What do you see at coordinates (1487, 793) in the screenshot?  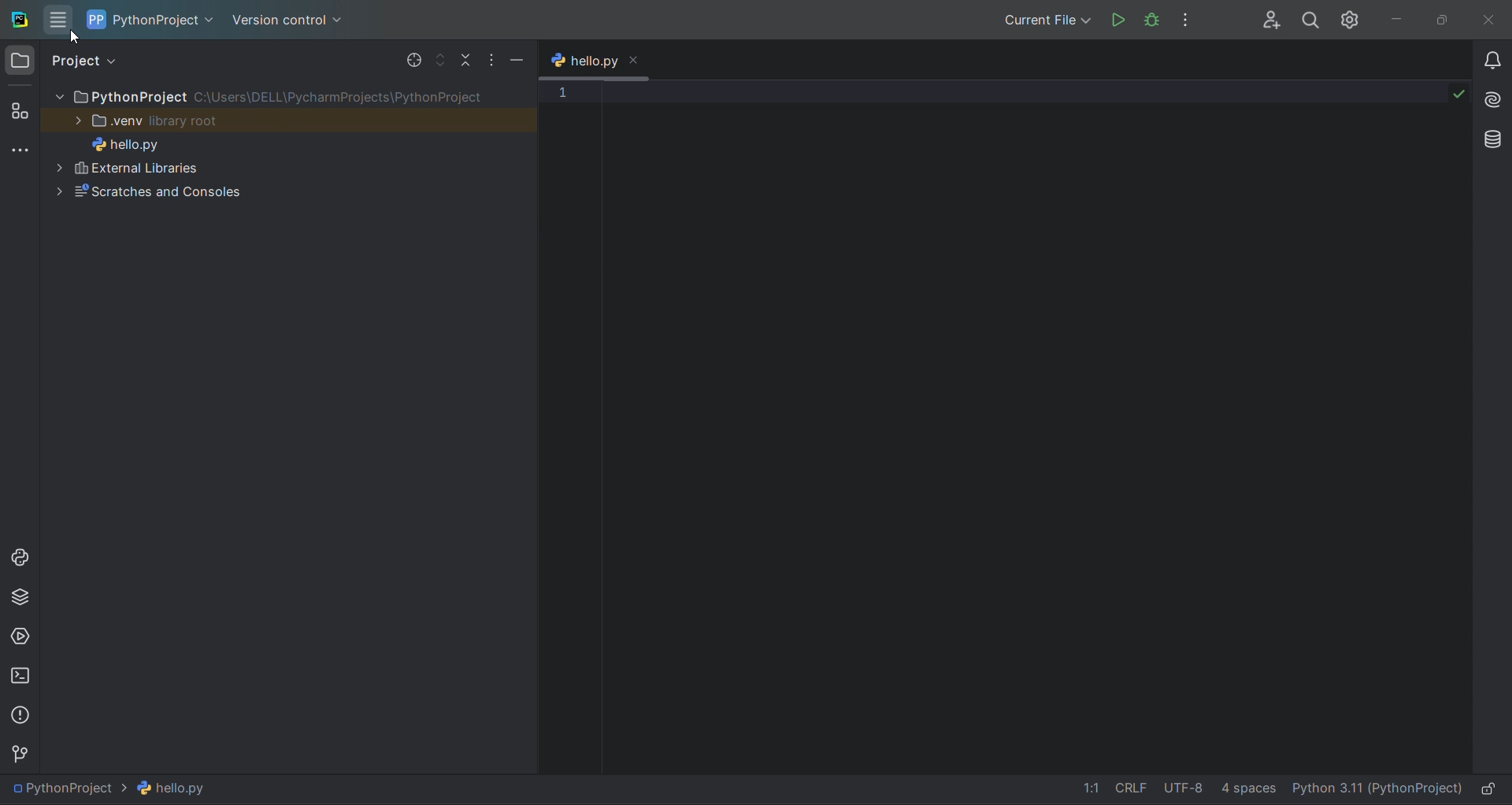 I see `lock` at bounding box center [1487, 793].